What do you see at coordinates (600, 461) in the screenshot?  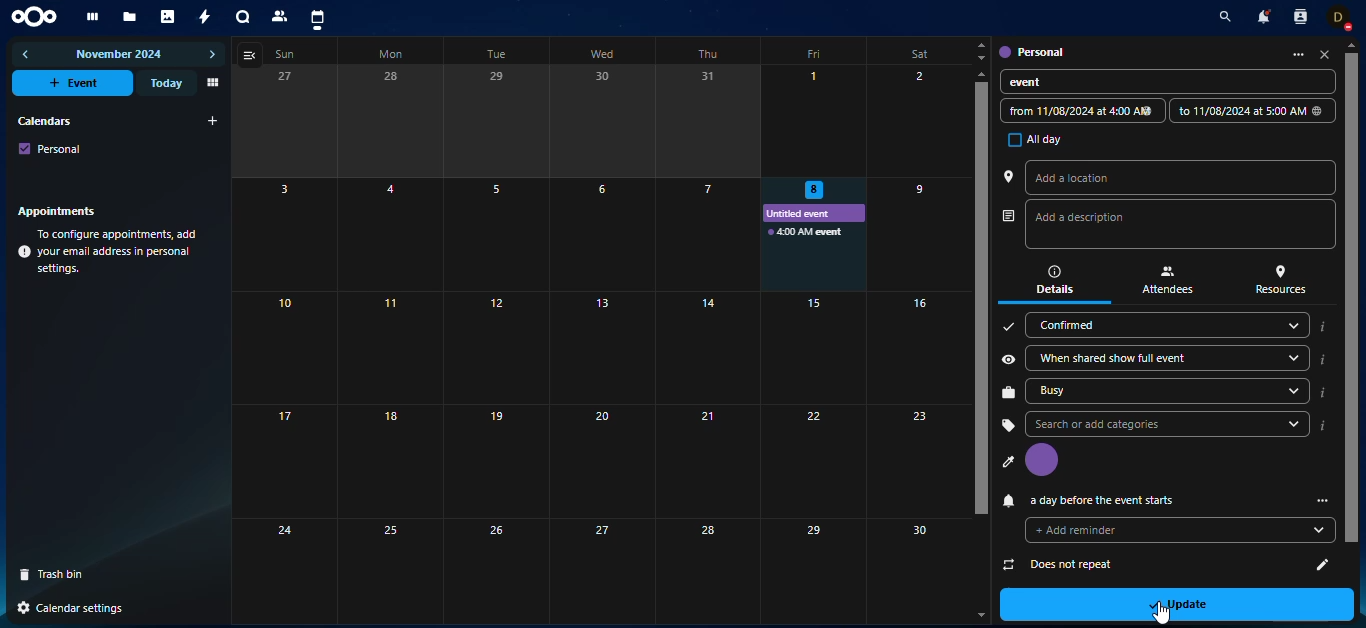 I see `20` at bounding box center [600, 461].